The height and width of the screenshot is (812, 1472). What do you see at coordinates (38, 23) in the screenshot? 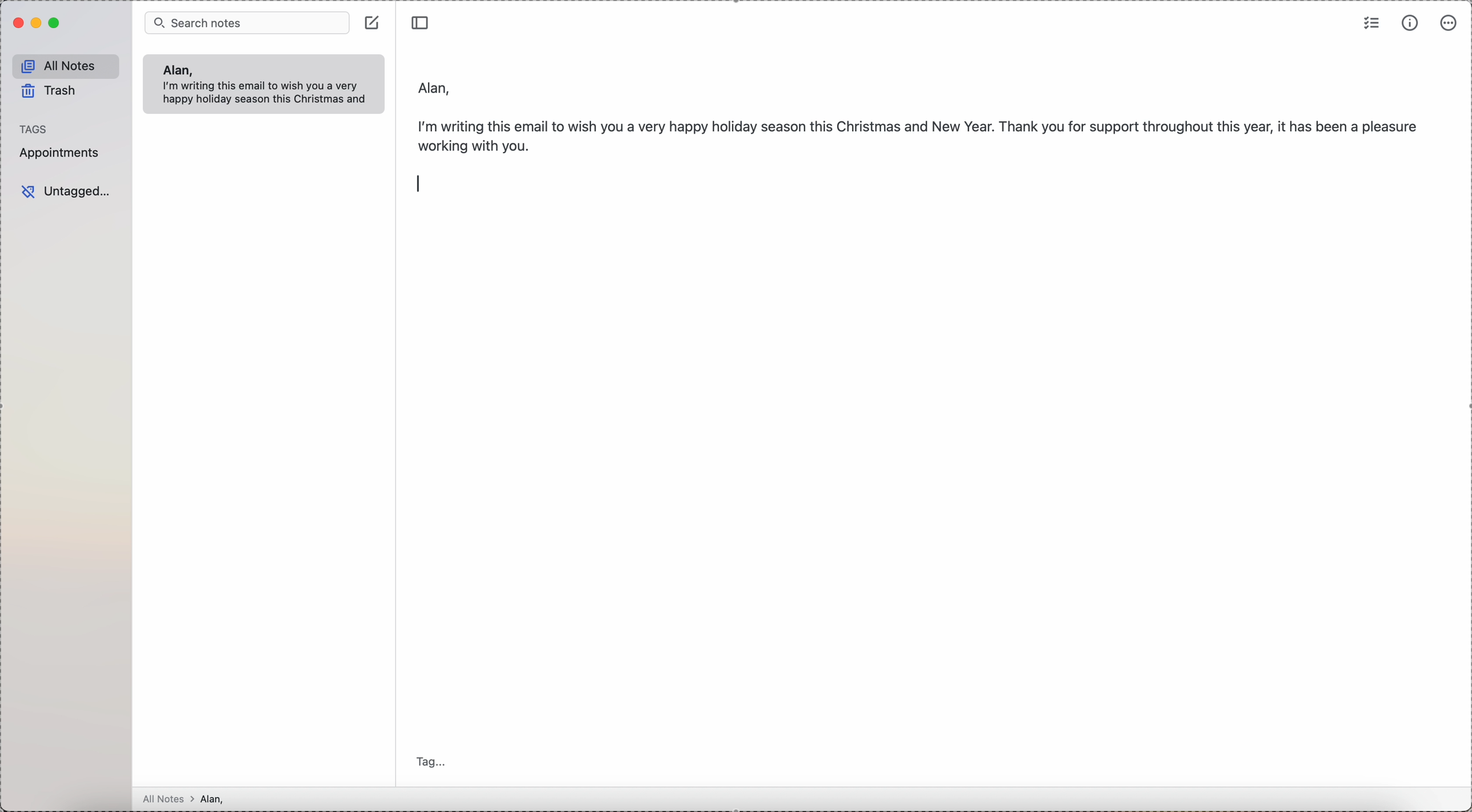
I see `minimize Simplenote` at bounding box center [38, 23].